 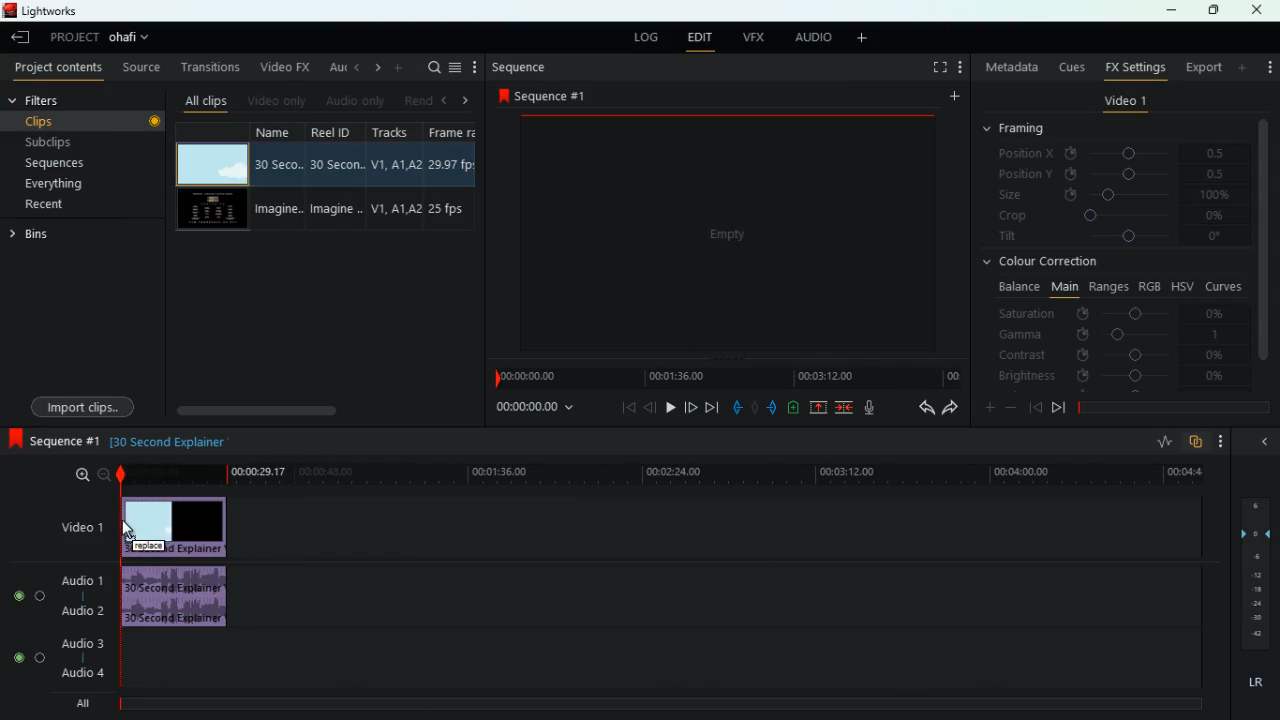 What do you see at coordinates (210, 211) in the screenshot?
I see `video` at bounding box center [210, 211].